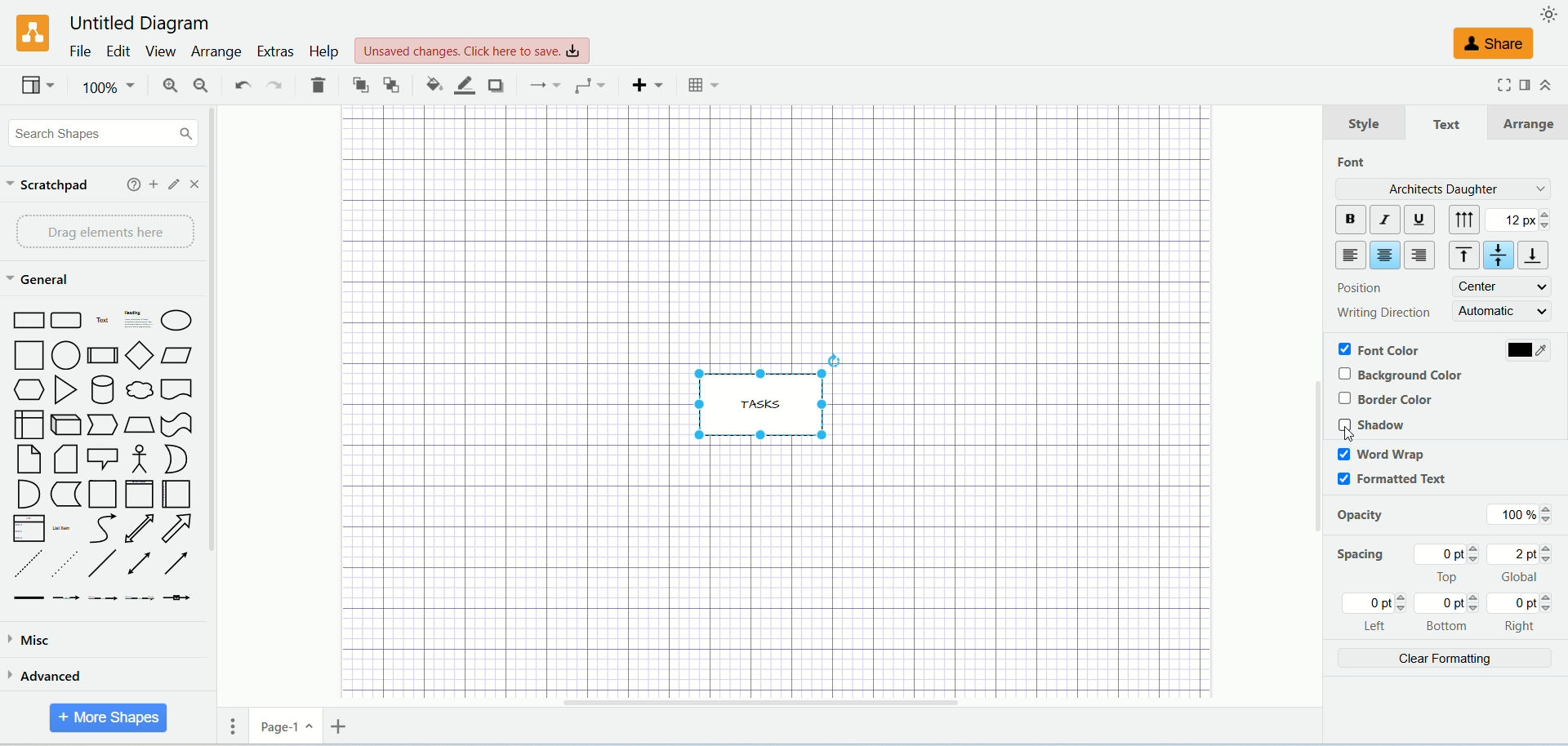 This screenshot has width=1568, height=746. What do you see at coordinates (540, 85) in the screenshot?
I see `connection` at bounding box center [540, 85].